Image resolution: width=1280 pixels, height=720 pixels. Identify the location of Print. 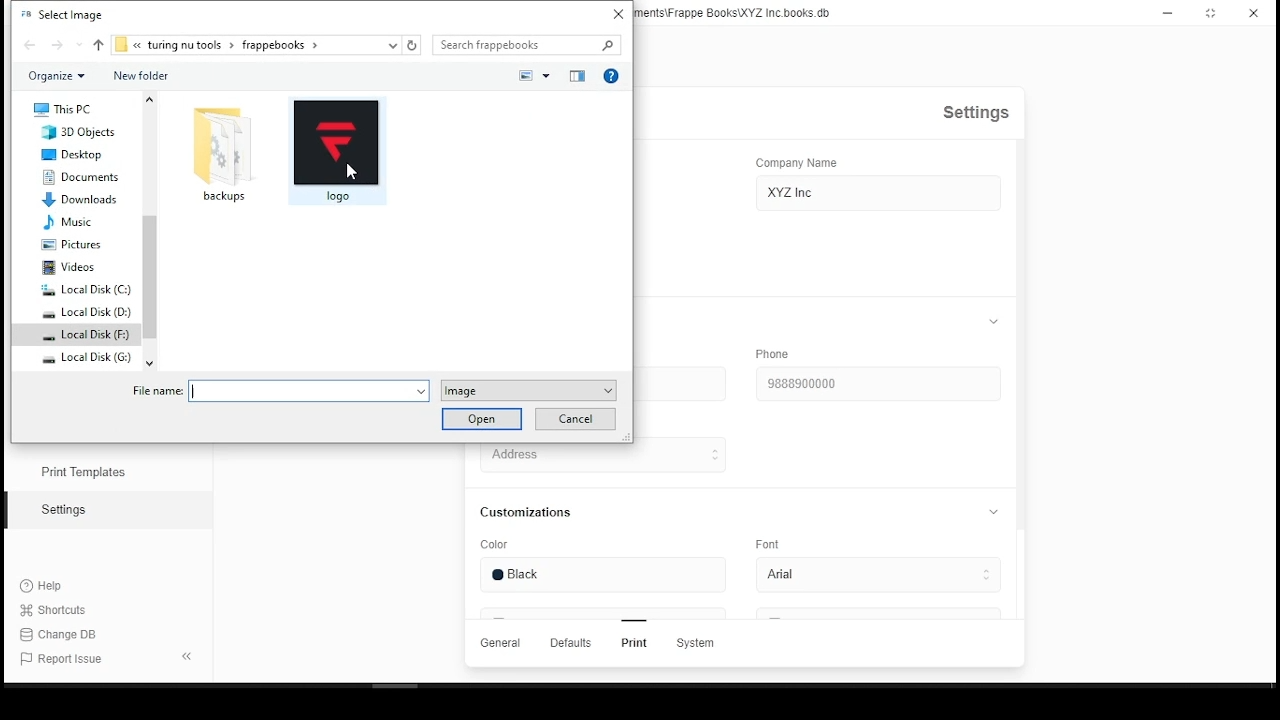
(634, 644).